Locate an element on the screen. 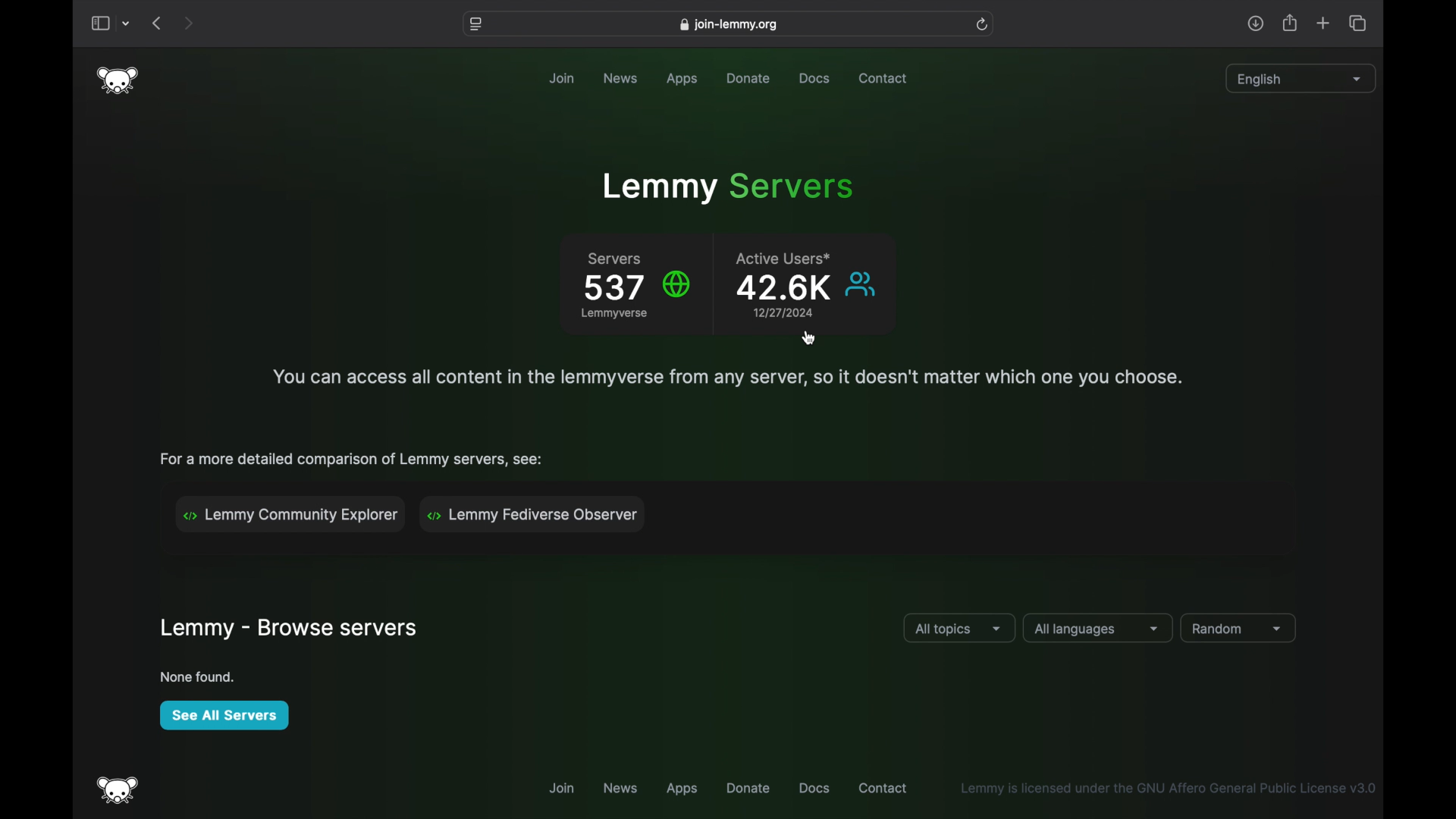  lemmy servers is located at coordinates (728, 188).